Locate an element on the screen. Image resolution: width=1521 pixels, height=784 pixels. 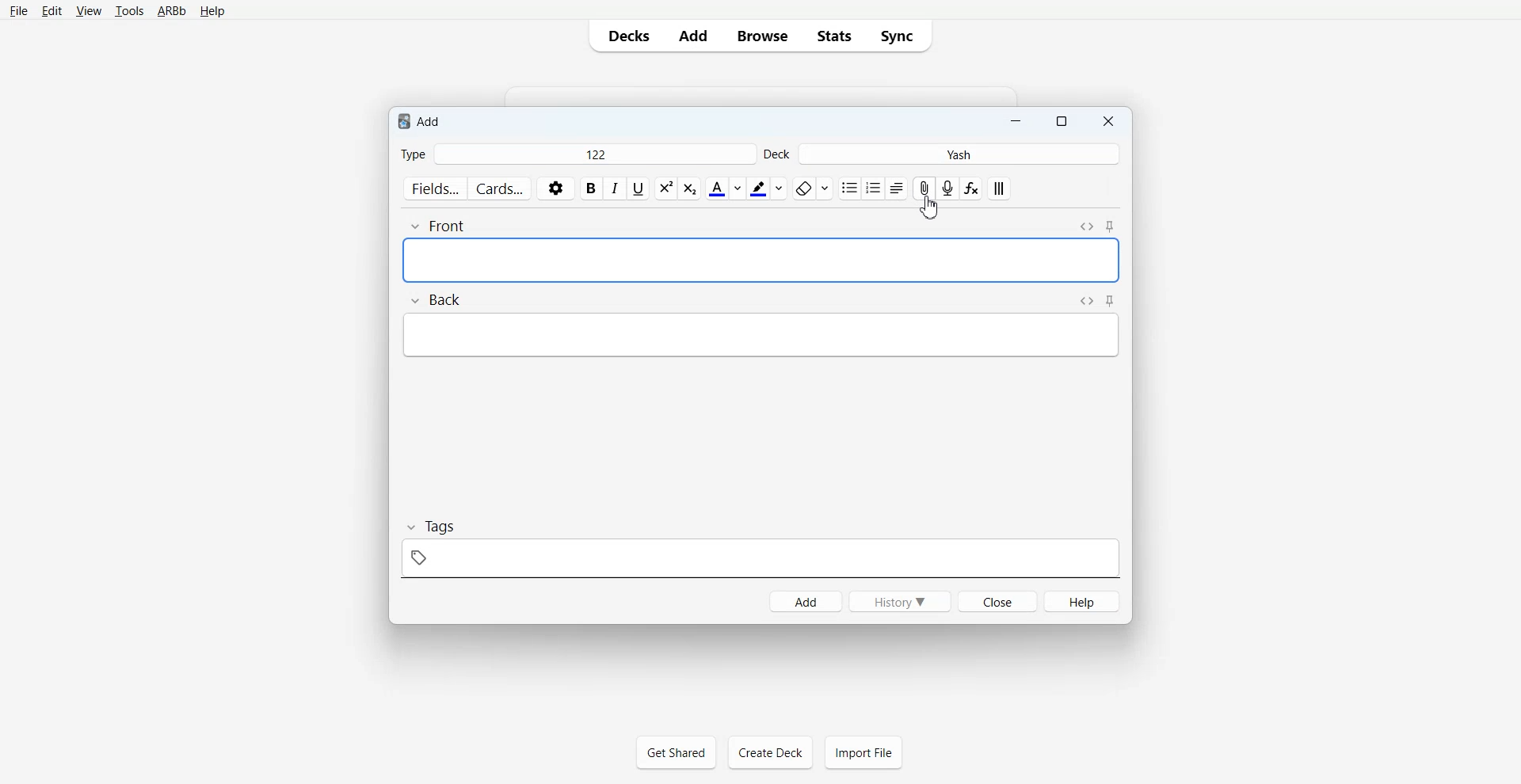
Toggle HTML Editor is located at coordinates (1087, 226).